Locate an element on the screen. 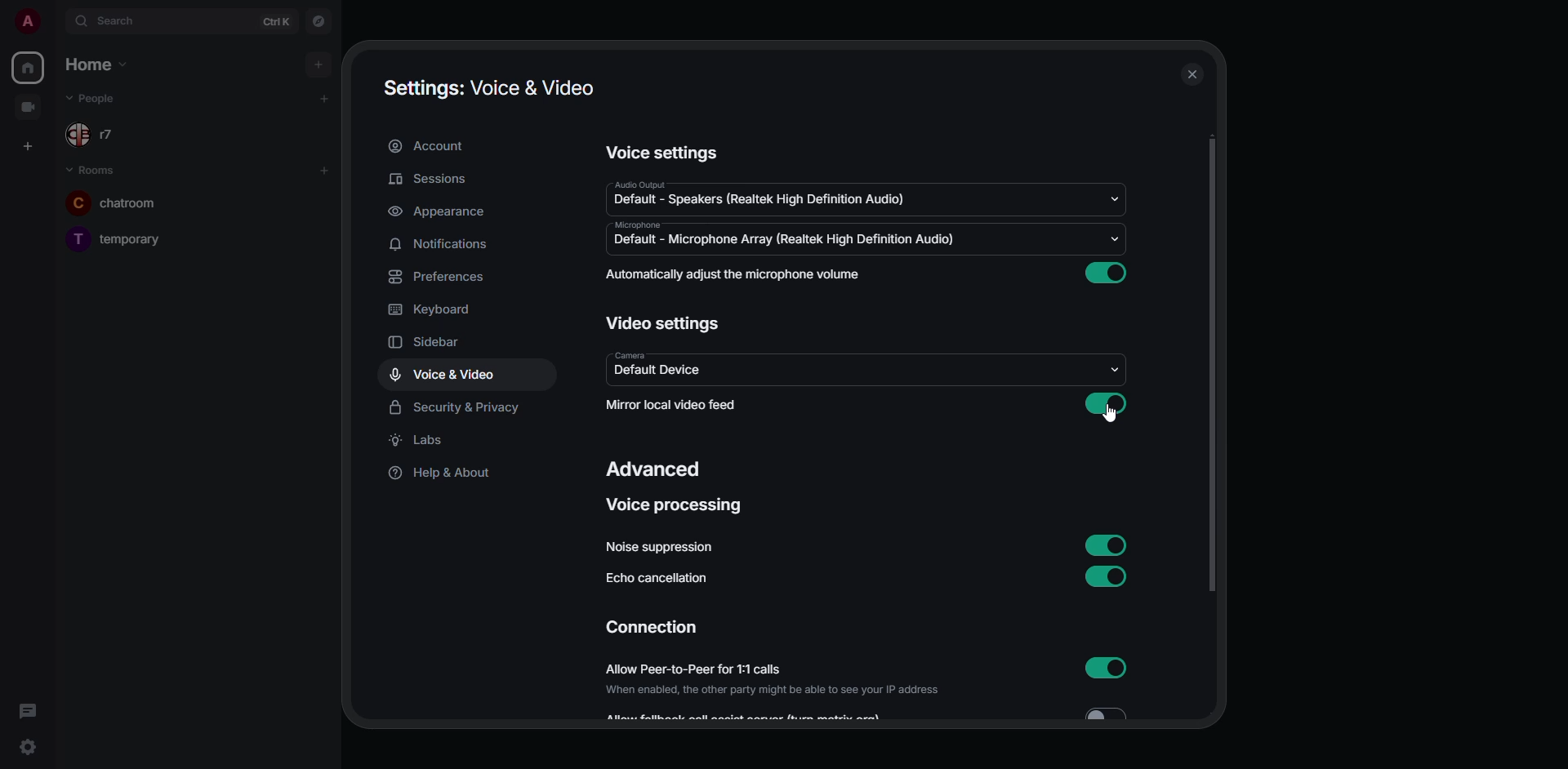 This screenshot has height=769, width=1568. default is located at coordinates (786, 244).